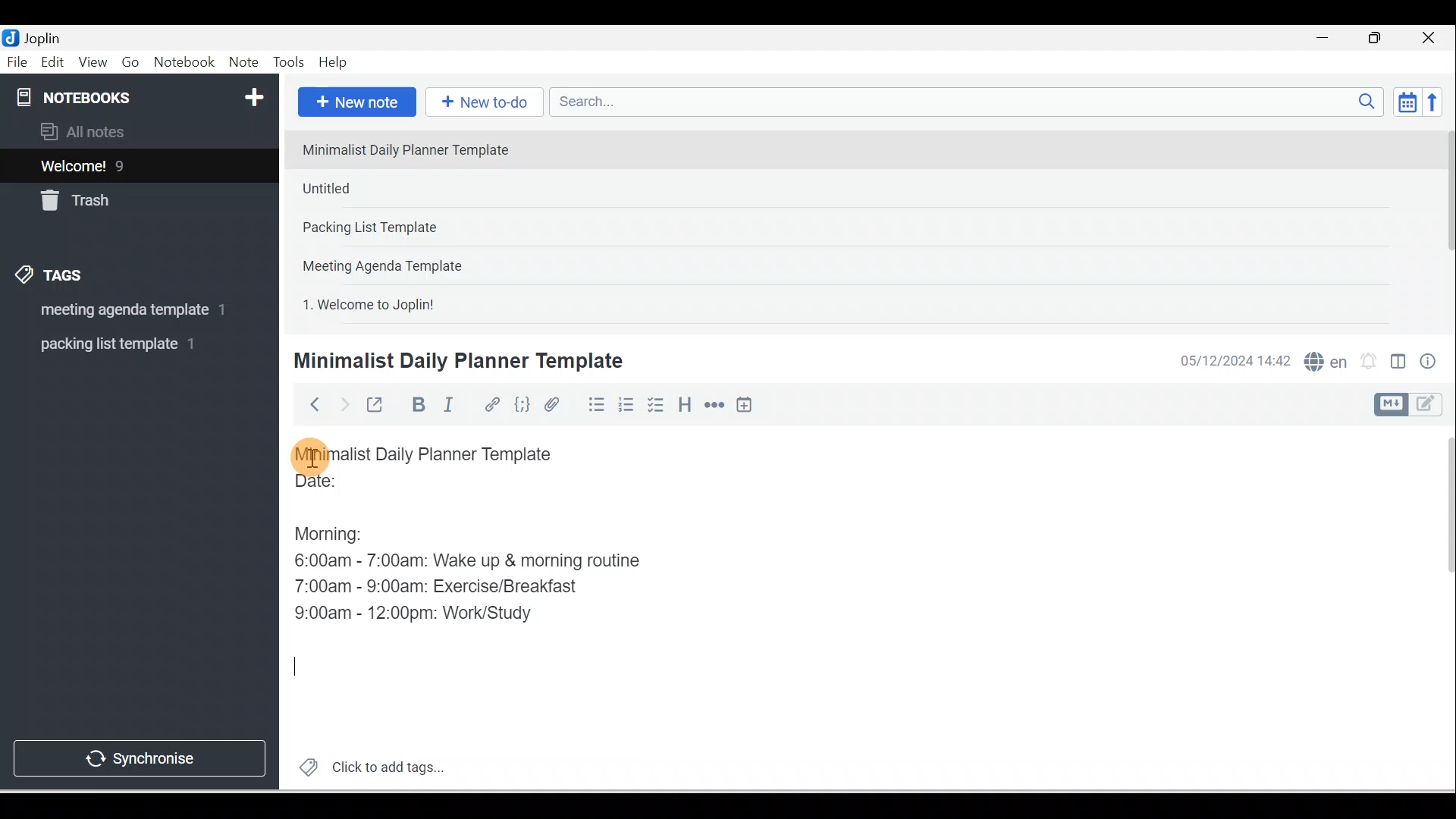 This screenshot has width=1456, height=819. Describe the element at coordinates (491, 406) in the screenshot. I see `Hyperlink` at that location.